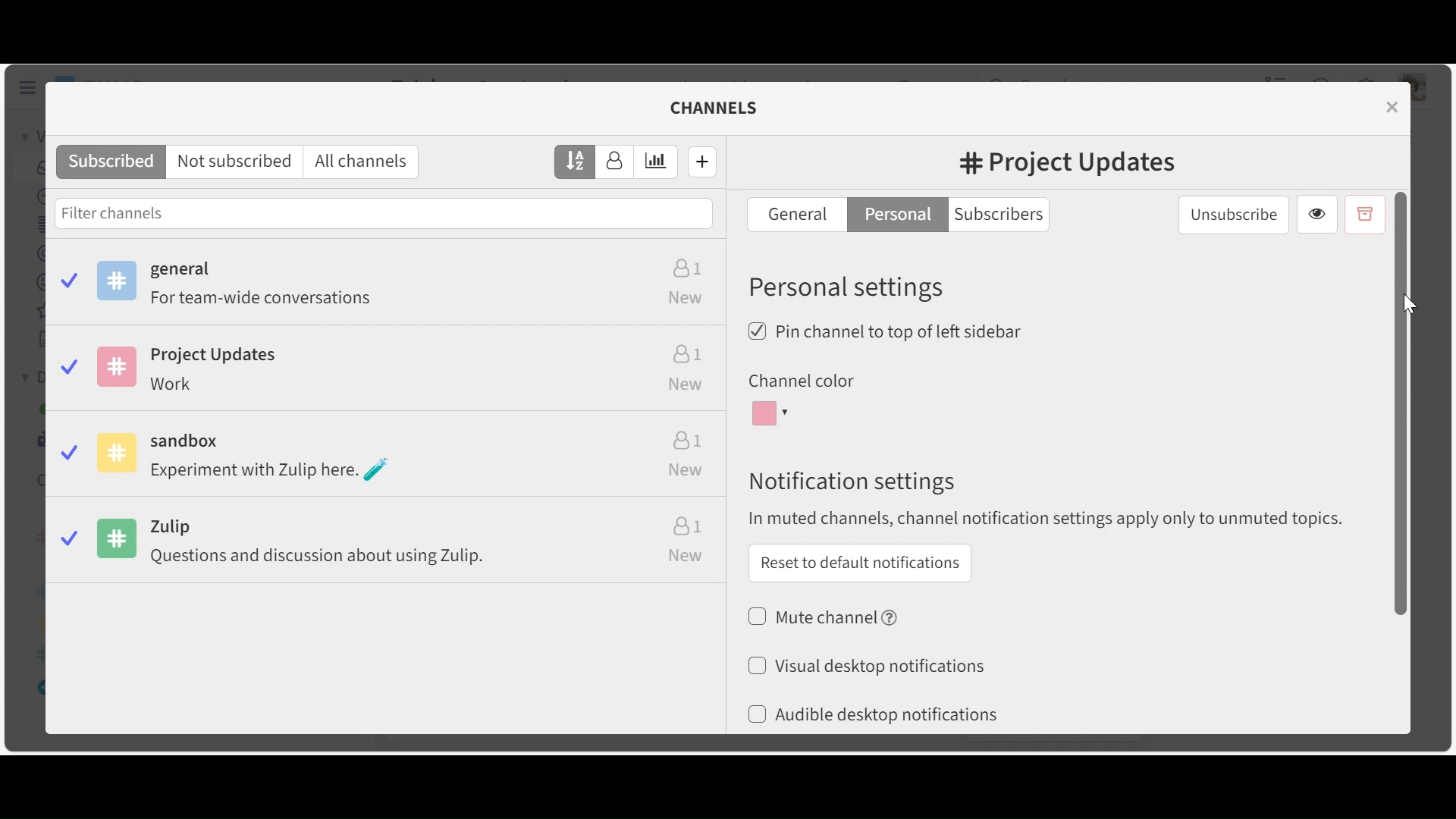 The height and width of the screenshot is (819, 1456). What do you see at coordinates (389, 287) in the screenshot?
I see `Subscribed channels` at bounding box center [389, 287].